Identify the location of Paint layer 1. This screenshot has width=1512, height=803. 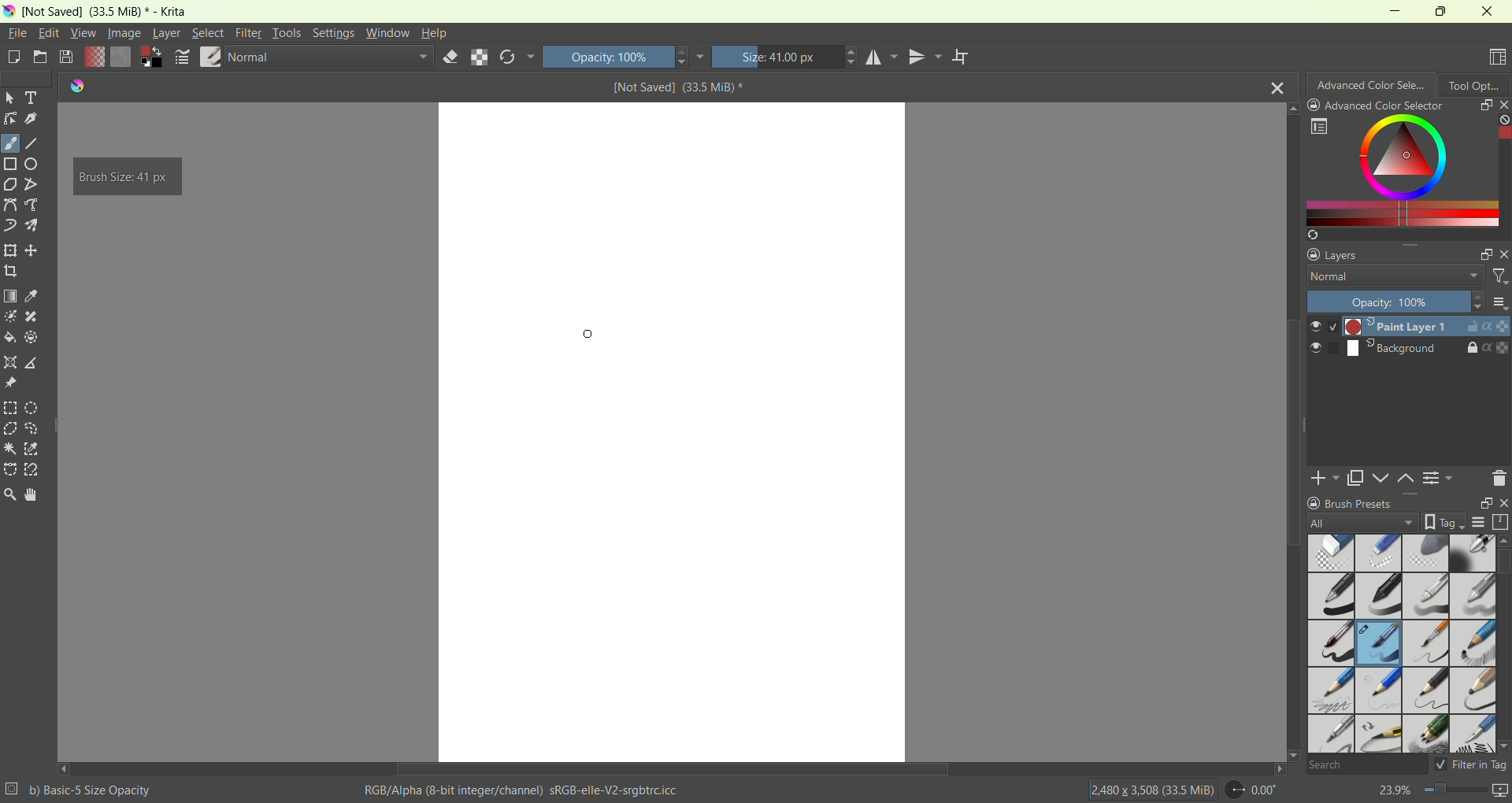
(1378, 326).